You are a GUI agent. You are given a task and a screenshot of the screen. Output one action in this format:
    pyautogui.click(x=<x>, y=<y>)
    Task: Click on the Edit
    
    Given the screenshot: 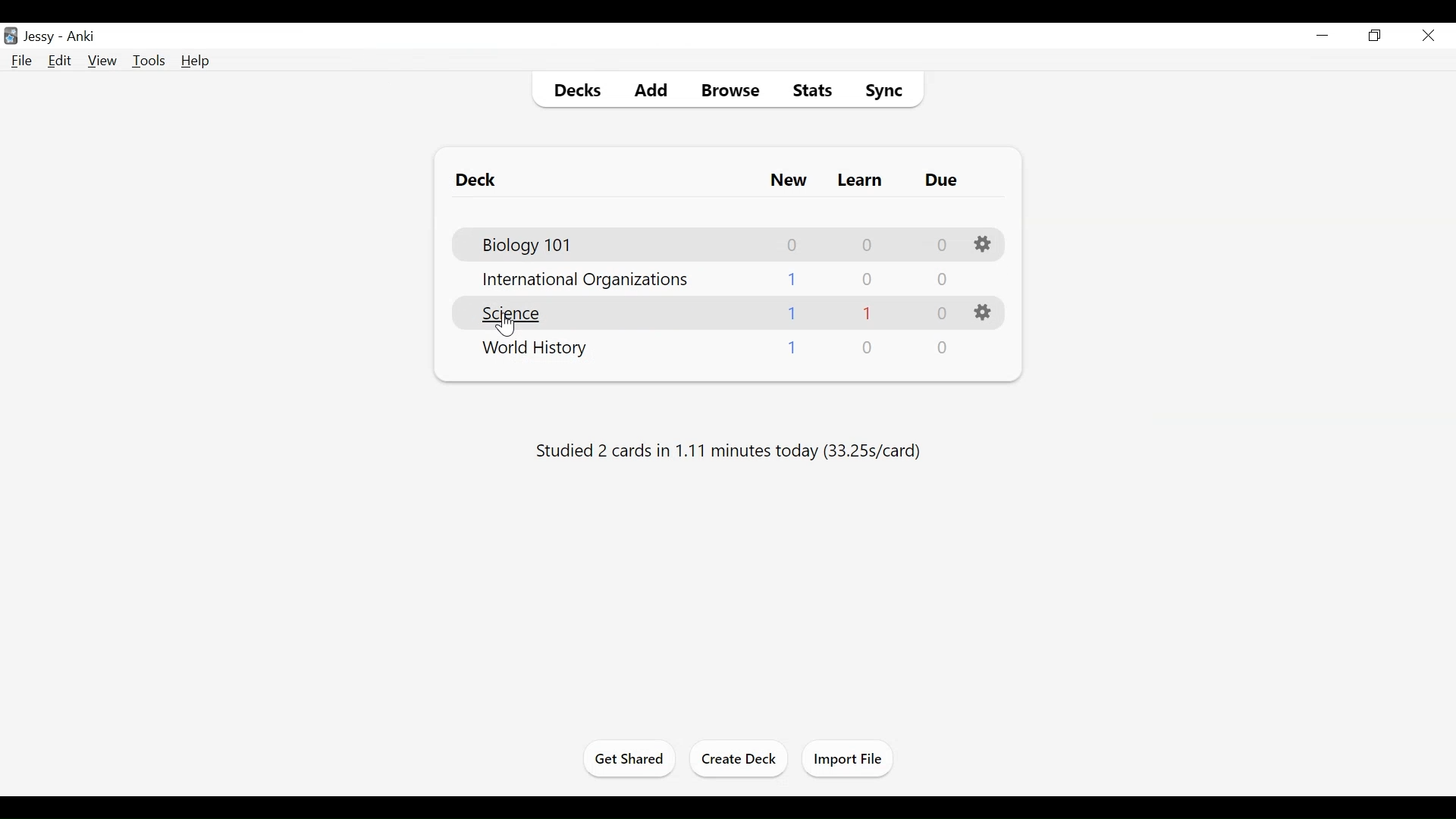 What is the action you would take?
    pyautogui.click(x=60, y=60)
    